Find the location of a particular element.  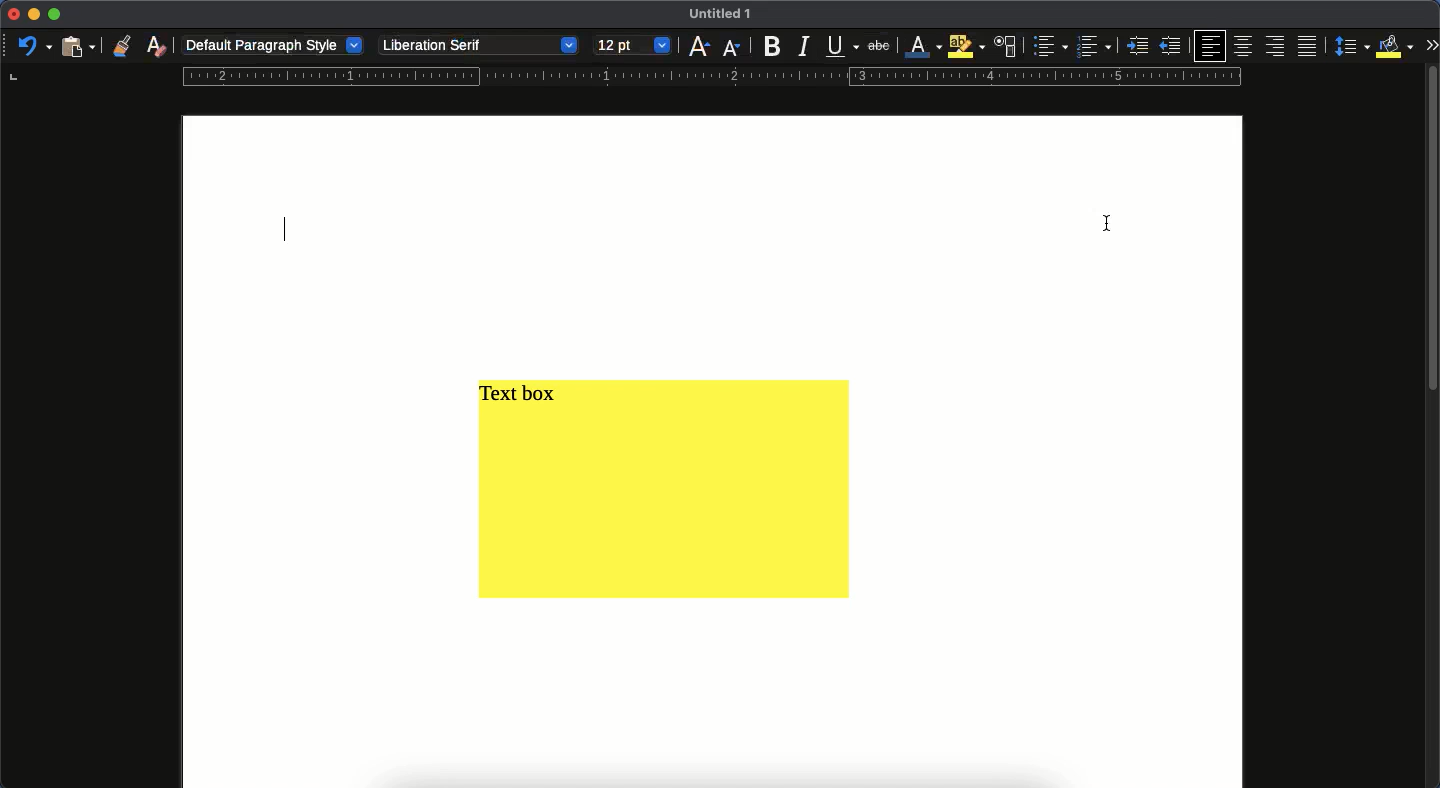

highlight color is located at coordinates (967, 46).